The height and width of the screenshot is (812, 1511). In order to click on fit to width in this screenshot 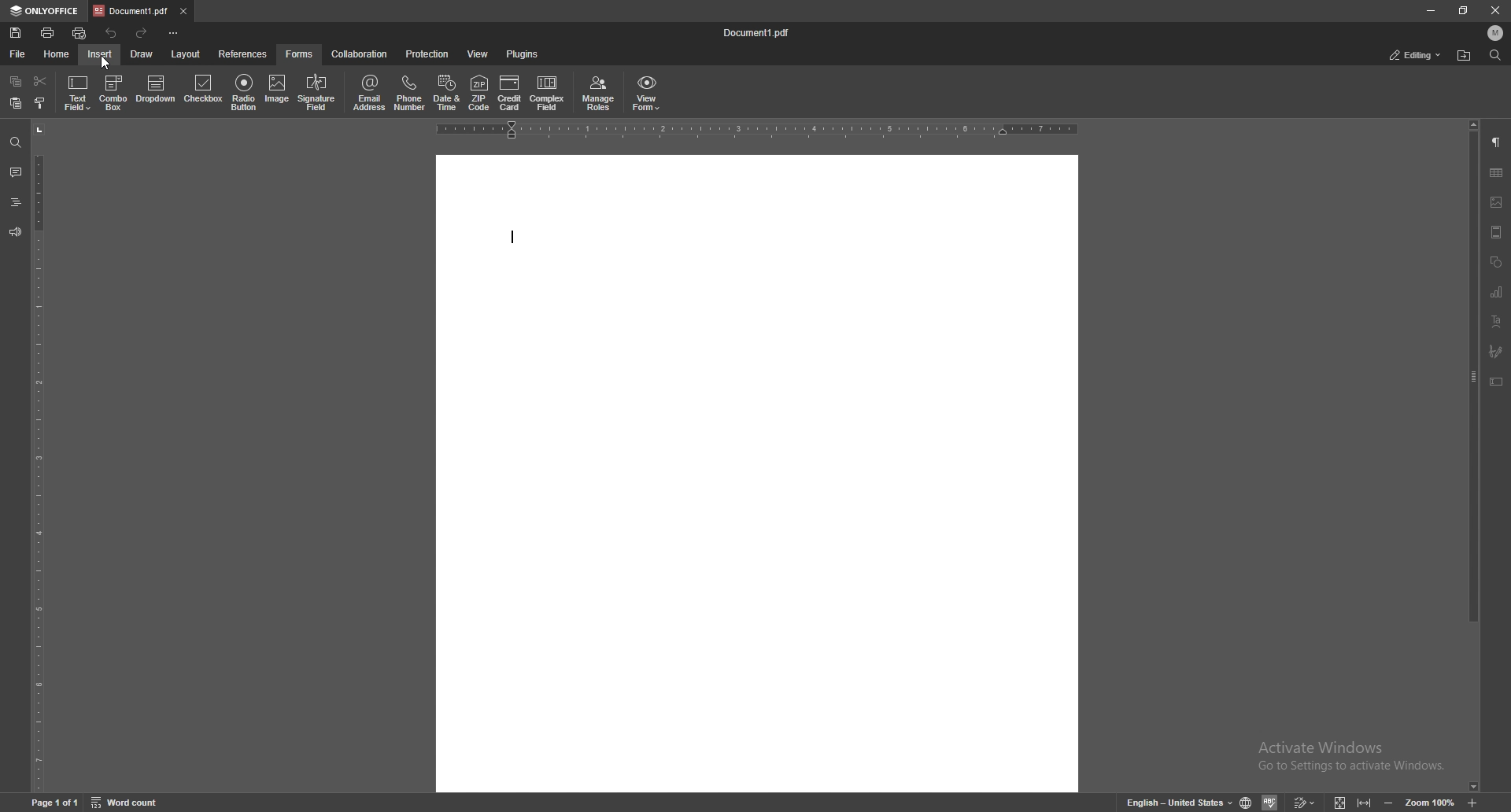, I will do `click(1365, 803)`.